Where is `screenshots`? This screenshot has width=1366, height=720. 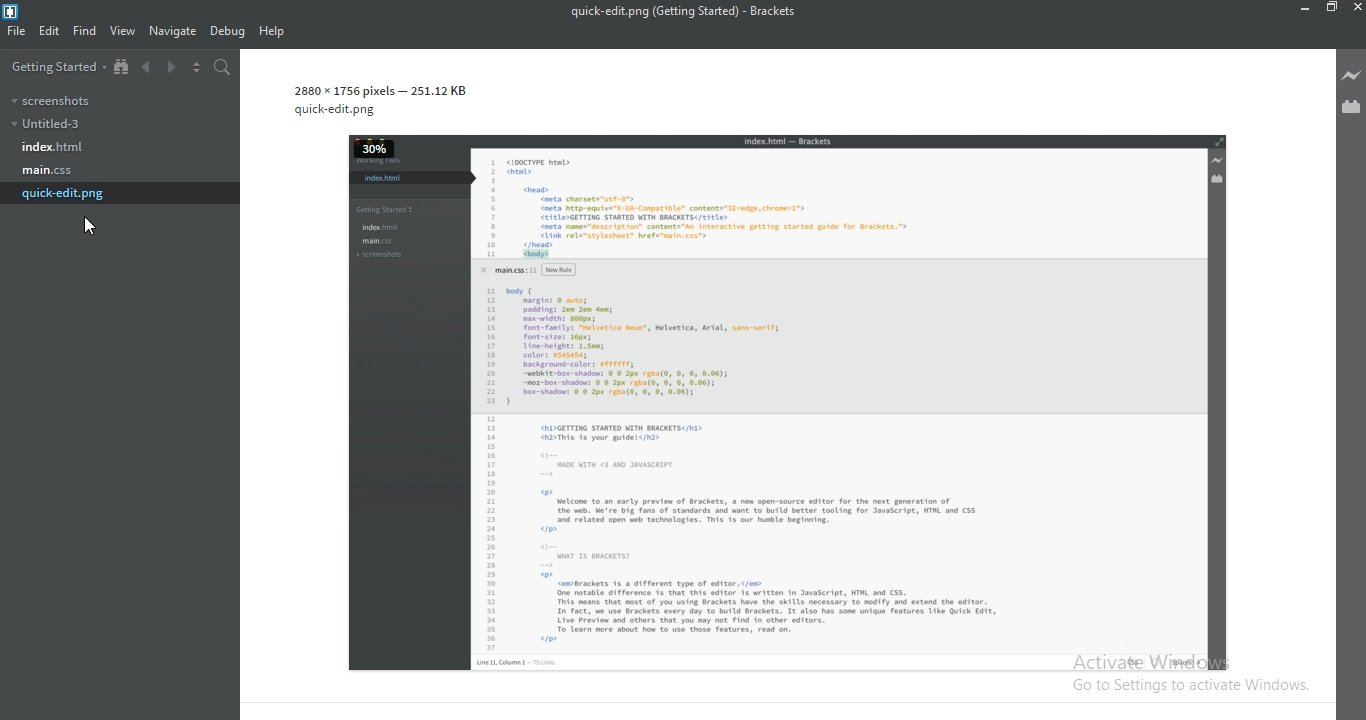 screenshots is located at coordinates (48, 99).